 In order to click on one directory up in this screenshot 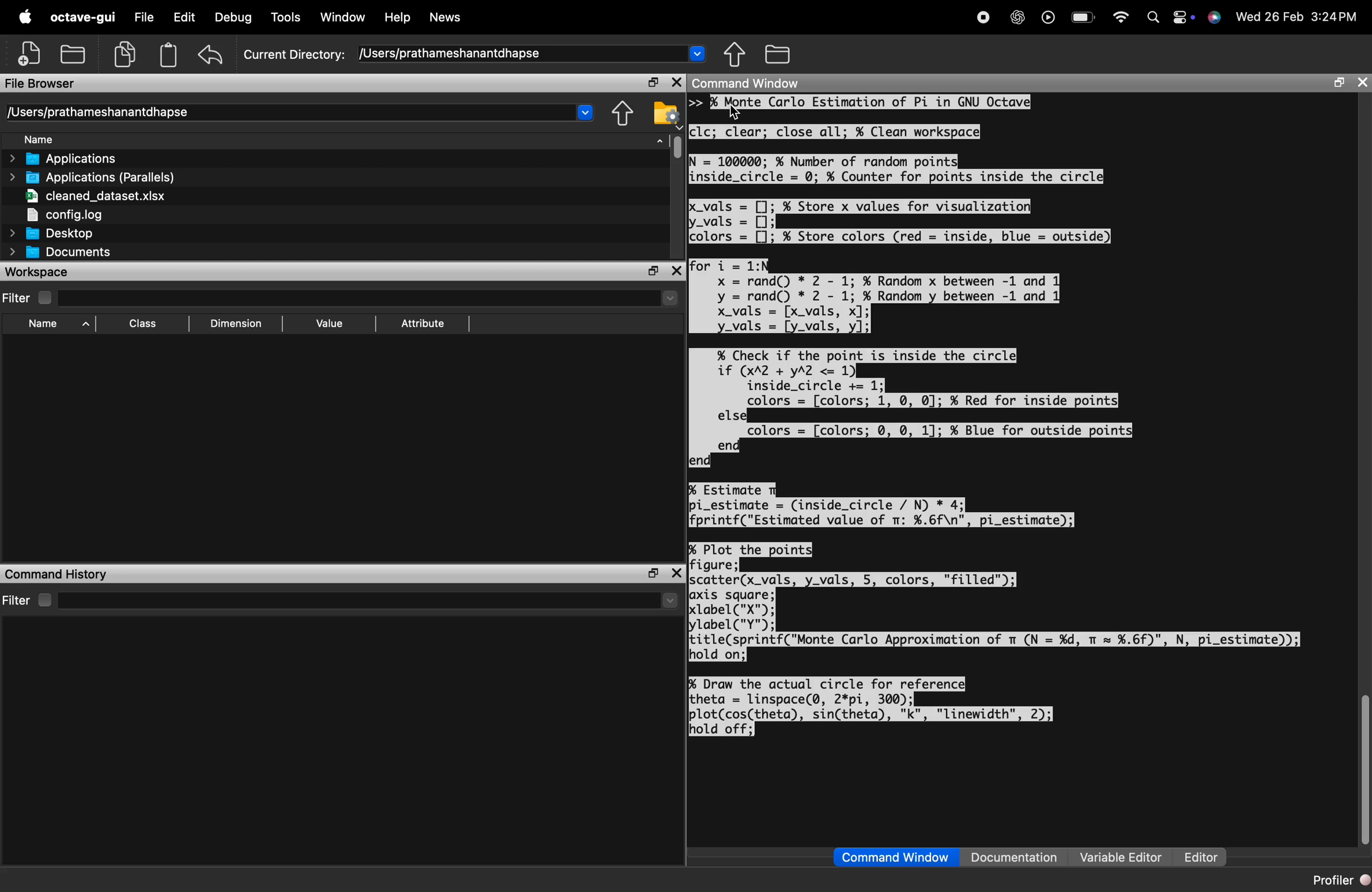, I will do `click(737, 55)`.